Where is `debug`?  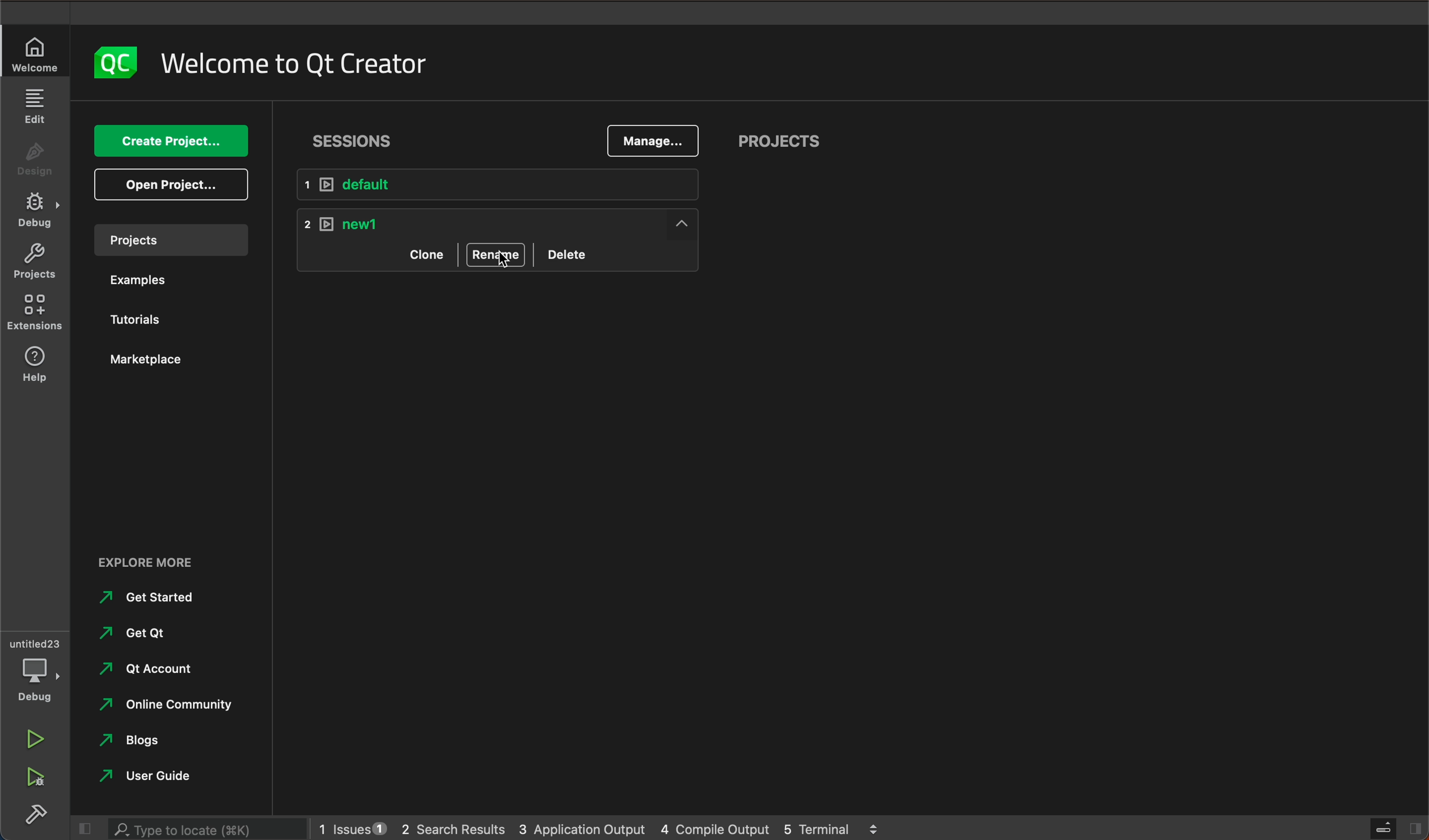
debug is located at coordinates (36, 214).